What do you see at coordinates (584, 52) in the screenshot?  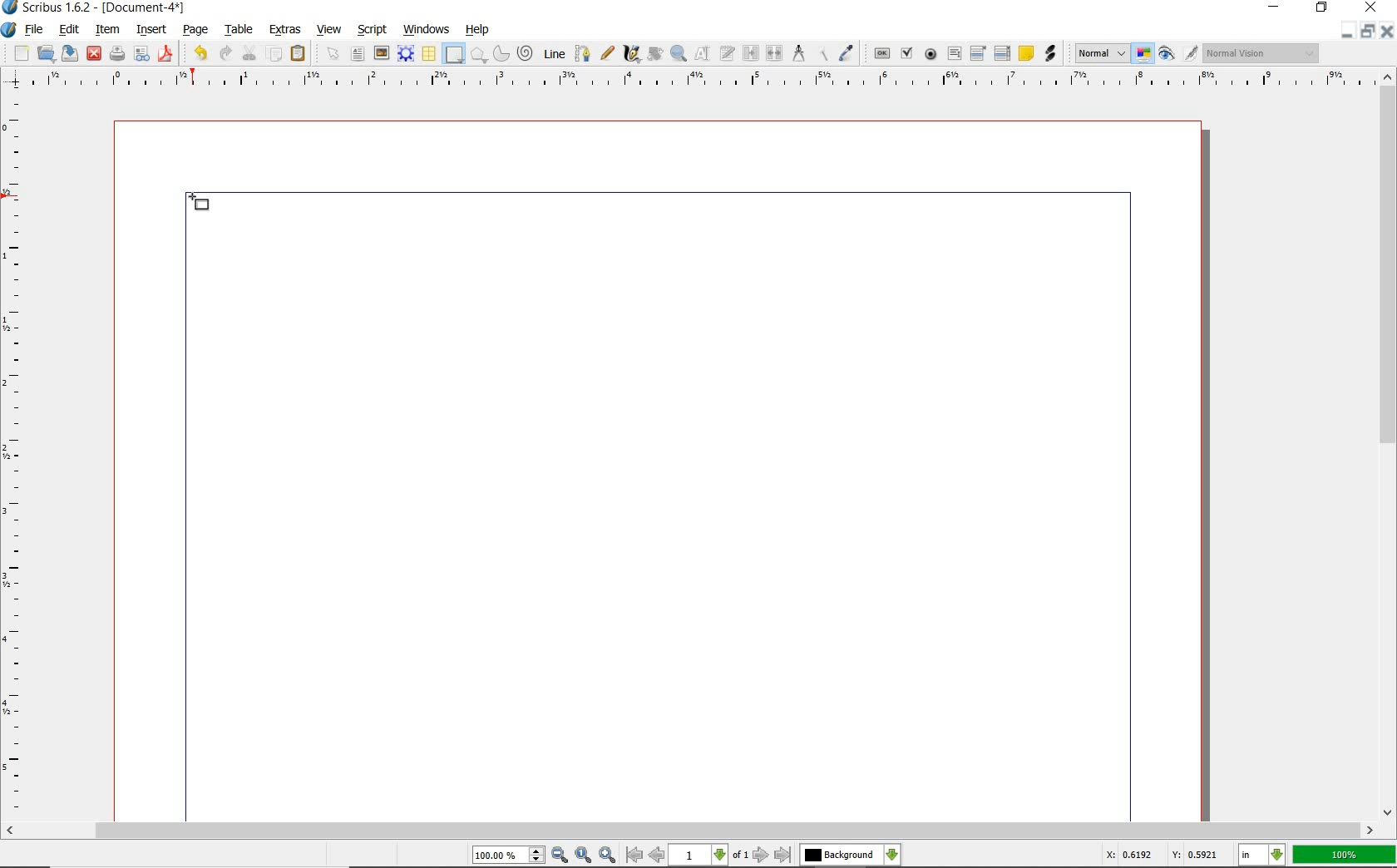 I see `Bezier curve` at bounding box center [584, 52].